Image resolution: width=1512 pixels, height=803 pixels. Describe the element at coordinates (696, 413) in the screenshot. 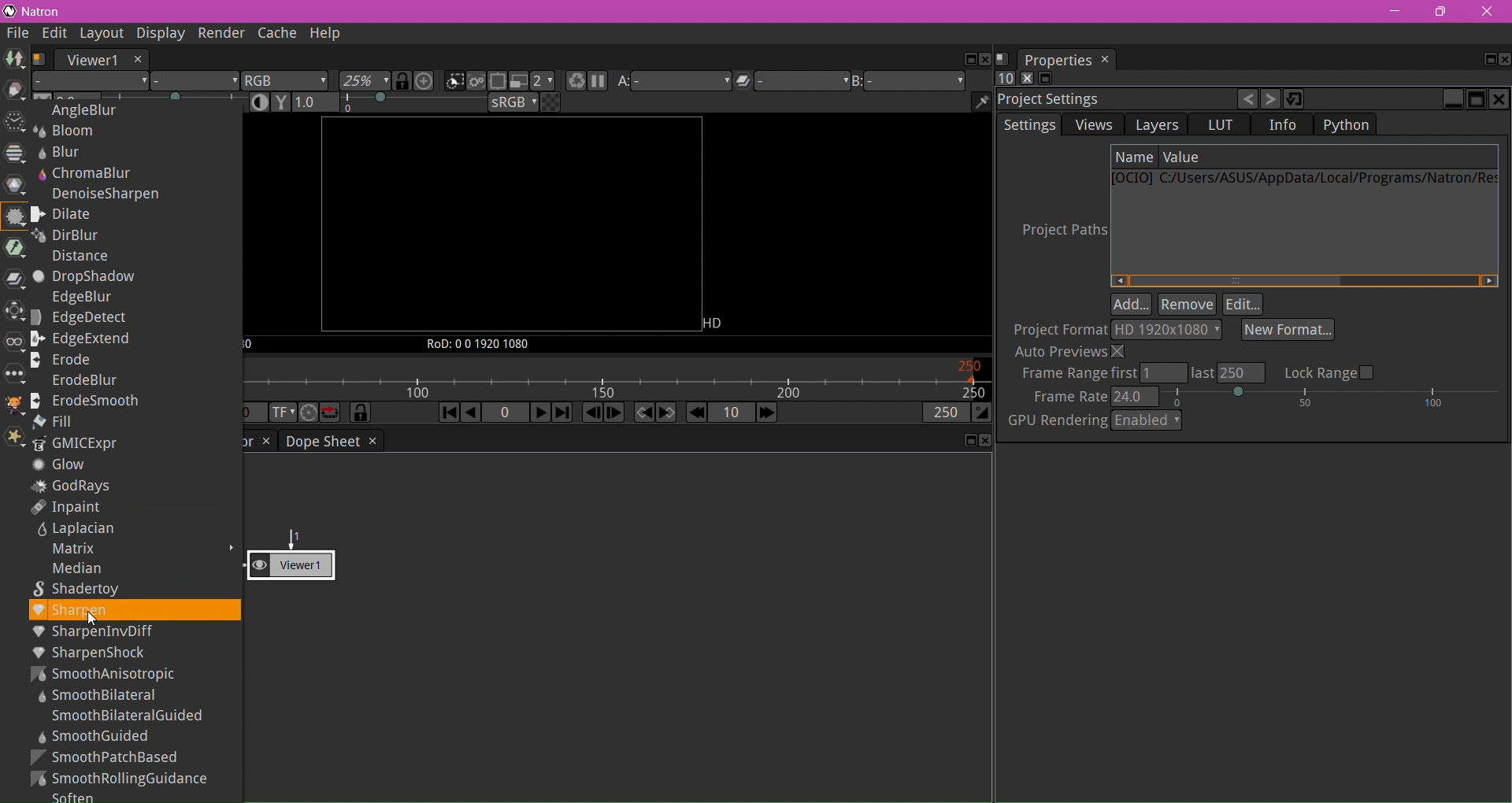

I see `Previous Increment` at that location.